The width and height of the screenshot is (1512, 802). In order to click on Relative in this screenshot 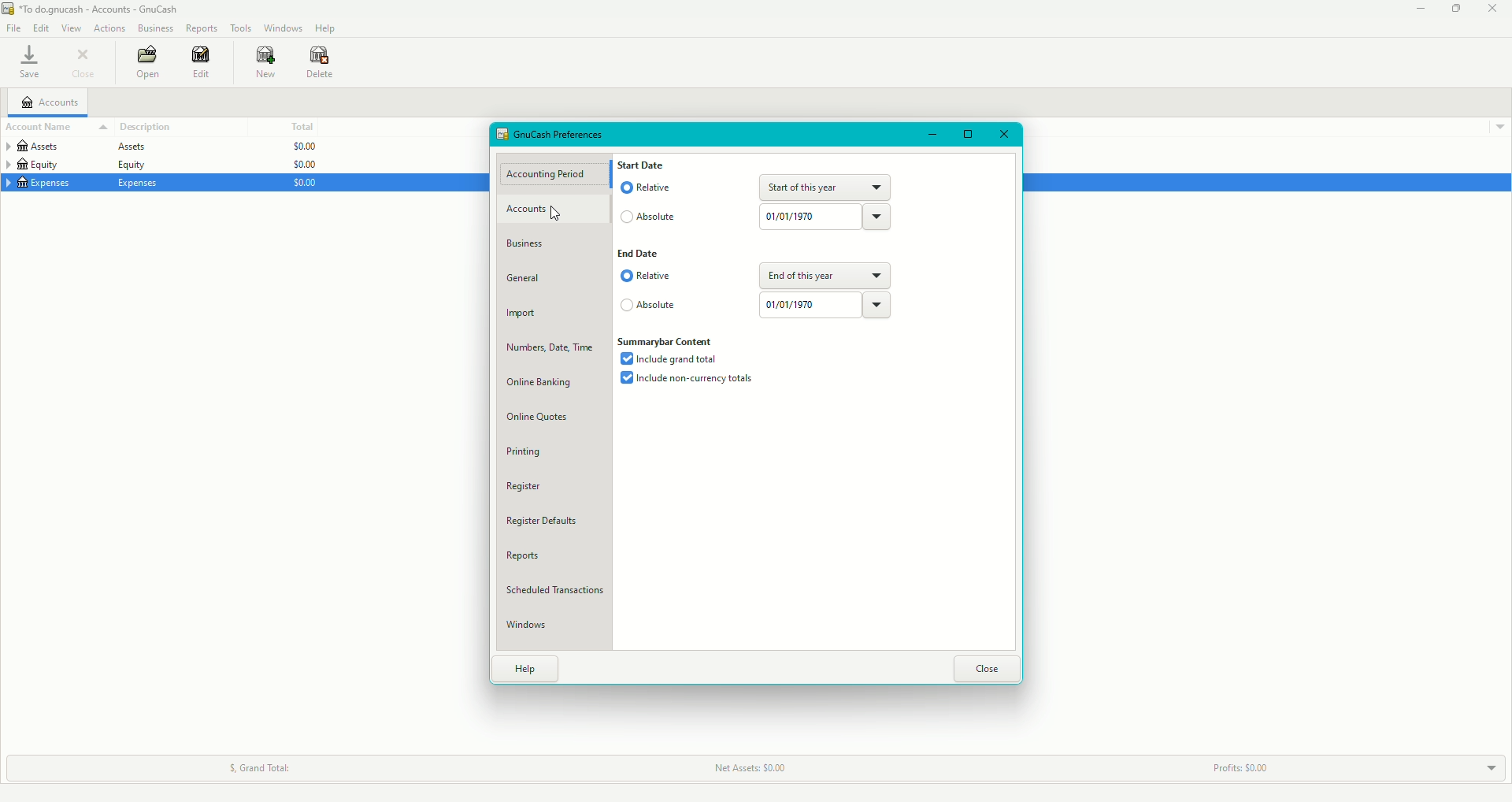, I will do `click(646, 278)`.